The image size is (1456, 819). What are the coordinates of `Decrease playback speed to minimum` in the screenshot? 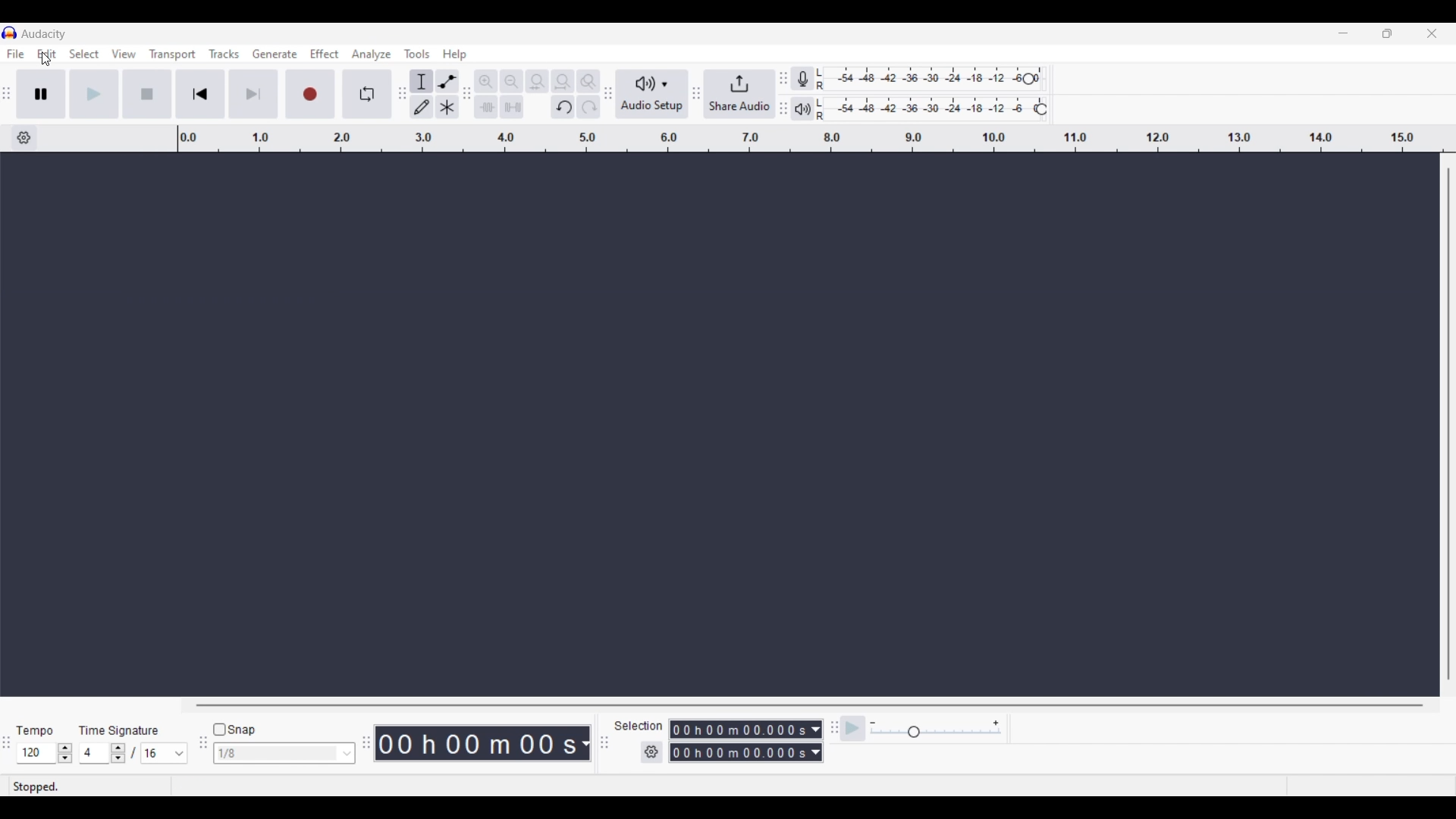 It's located at (873, 723).